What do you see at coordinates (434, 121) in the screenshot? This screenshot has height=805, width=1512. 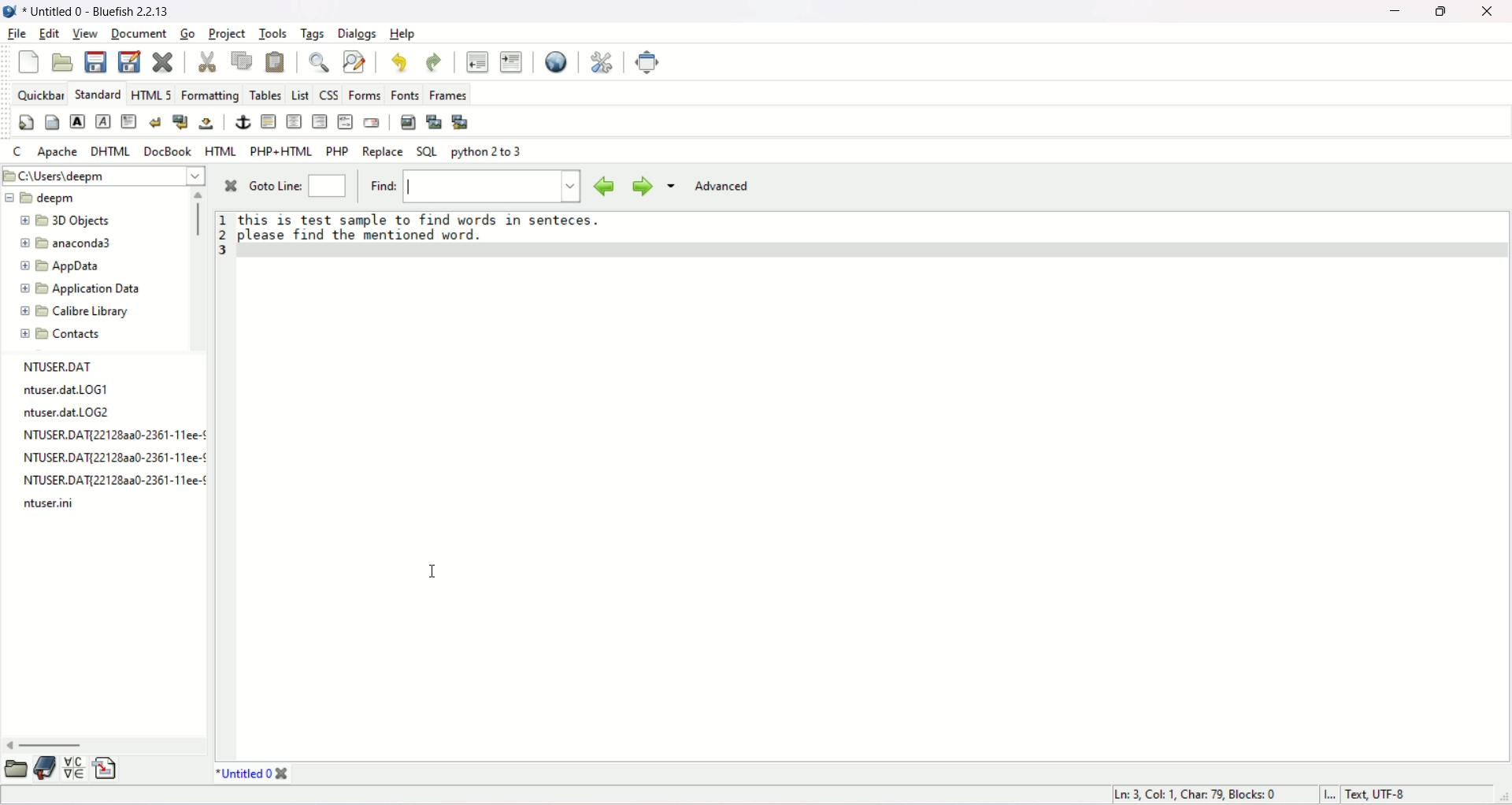 I see `insert thumbnail` at bounding box center [434, 121].